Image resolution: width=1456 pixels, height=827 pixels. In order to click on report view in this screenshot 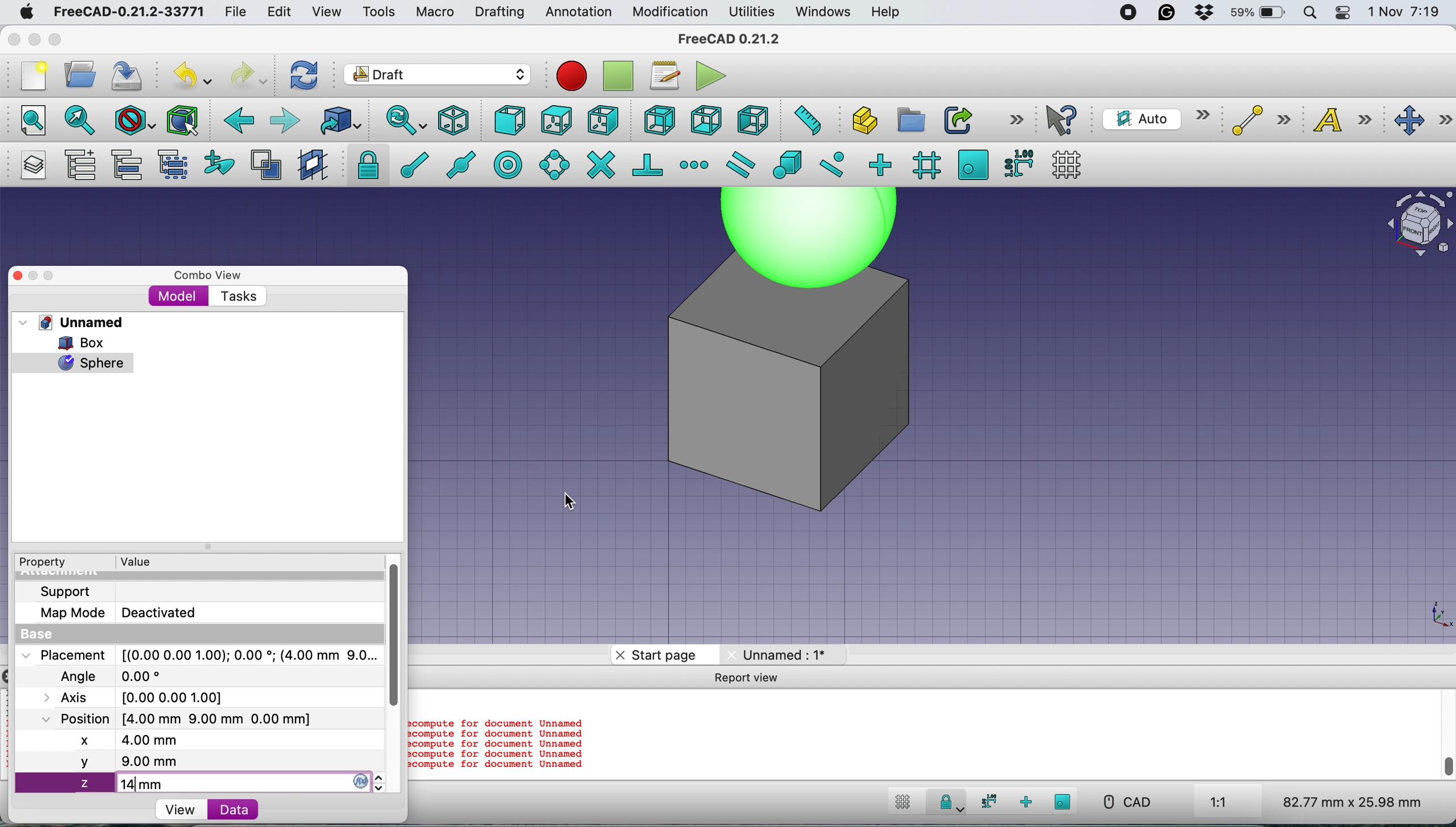, I will do `click(758, 680)`.